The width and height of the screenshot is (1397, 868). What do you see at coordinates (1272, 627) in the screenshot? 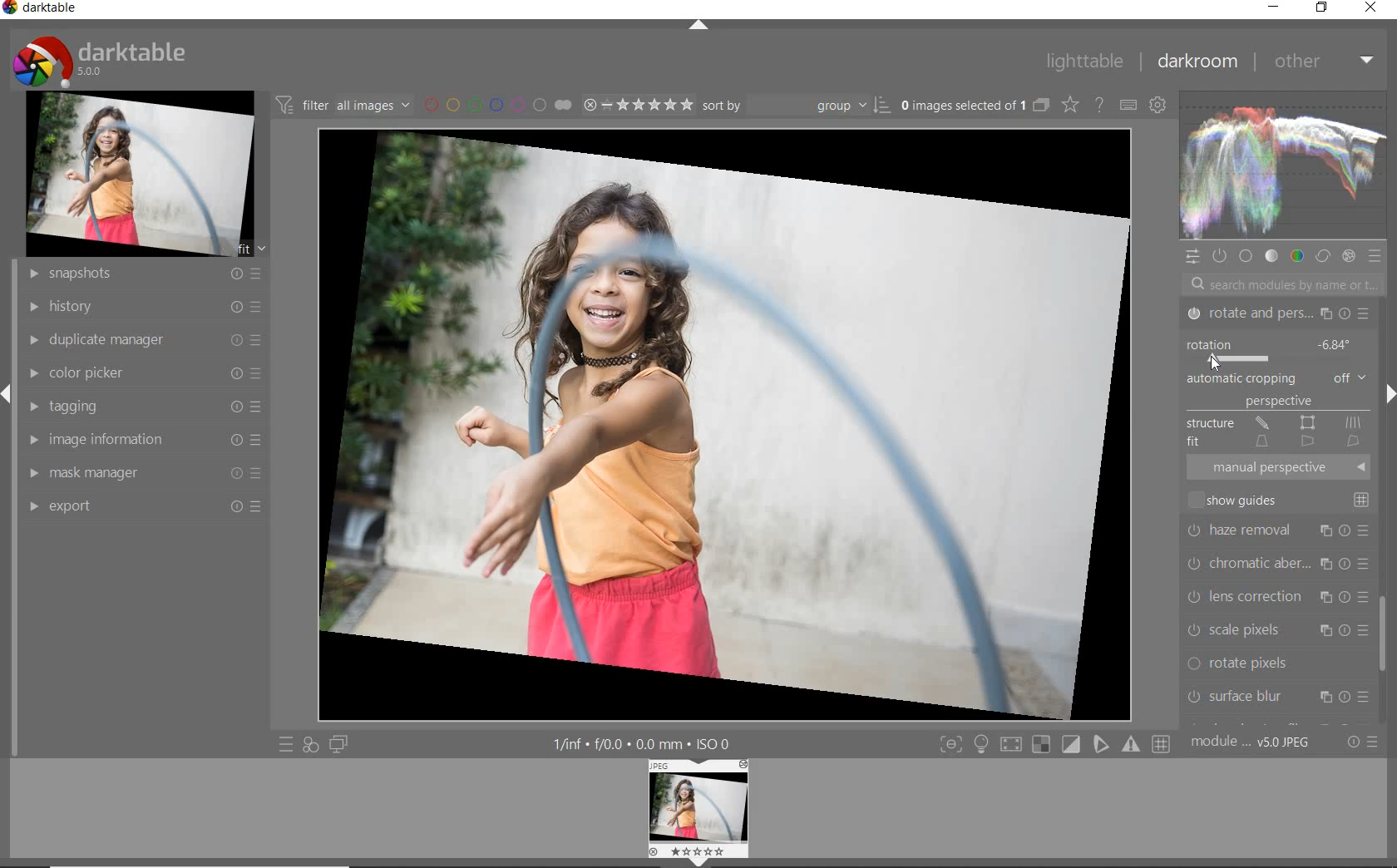
I see `scale pixels` at bounding box center [1272, 627].